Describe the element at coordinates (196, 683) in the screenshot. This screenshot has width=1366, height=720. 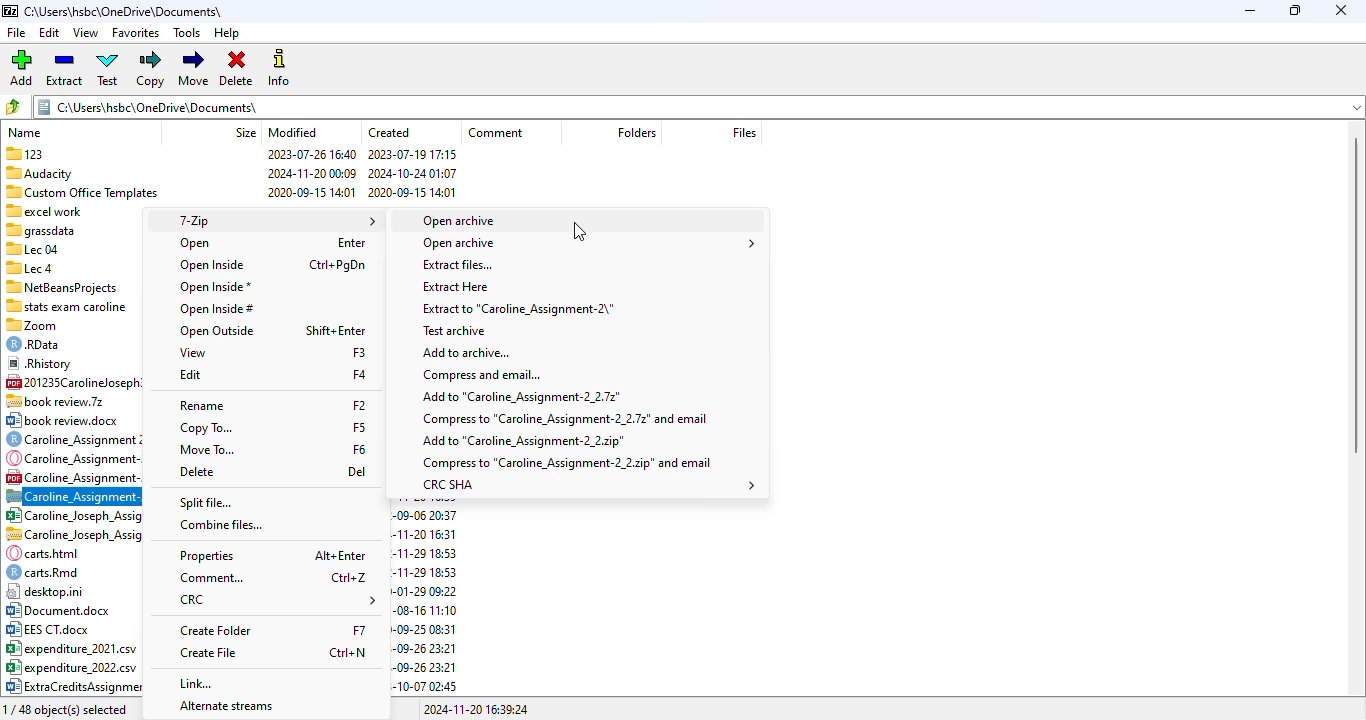
I see `link` at that location.